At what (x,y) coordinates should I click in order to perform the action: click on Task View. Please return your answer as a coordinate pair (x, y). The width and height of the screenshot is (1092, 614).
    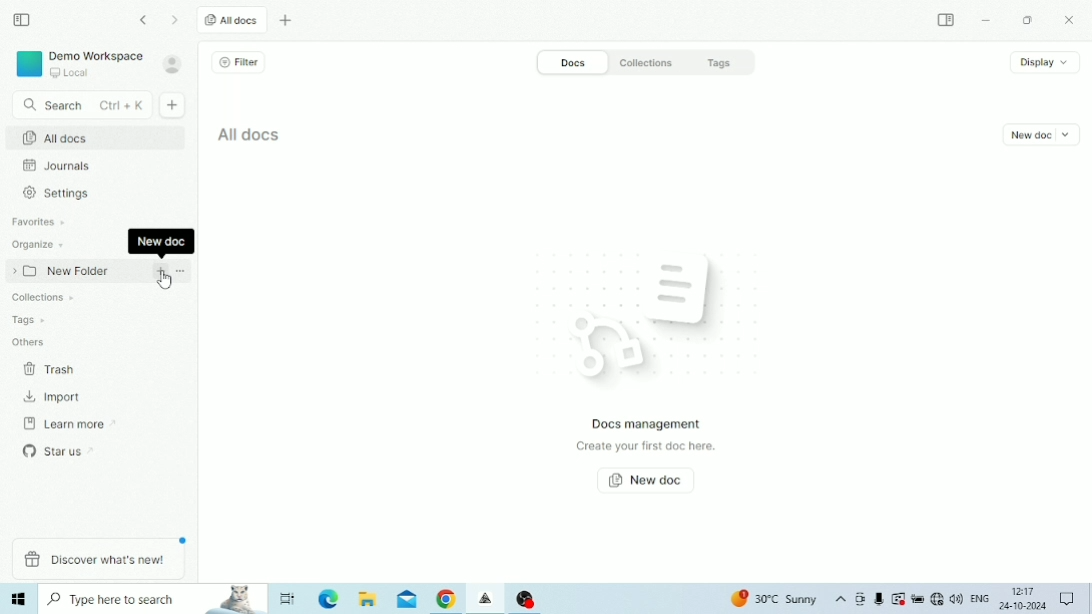
    Looking at the image, I should click on (289, 598).